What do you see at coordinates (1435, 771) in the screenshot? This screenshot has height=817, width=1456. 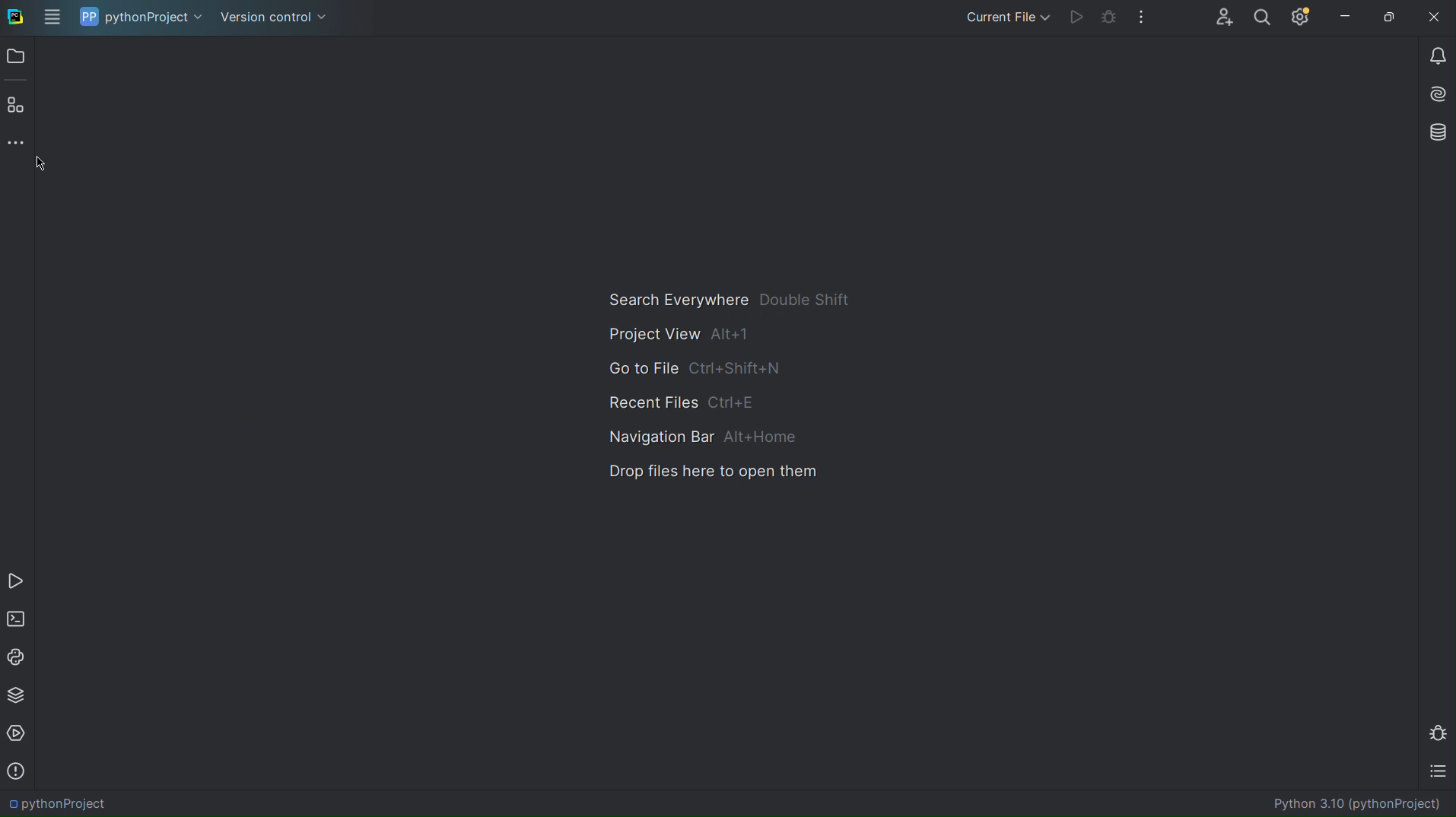 I see `TODO` at bounding box center [1435, 771].